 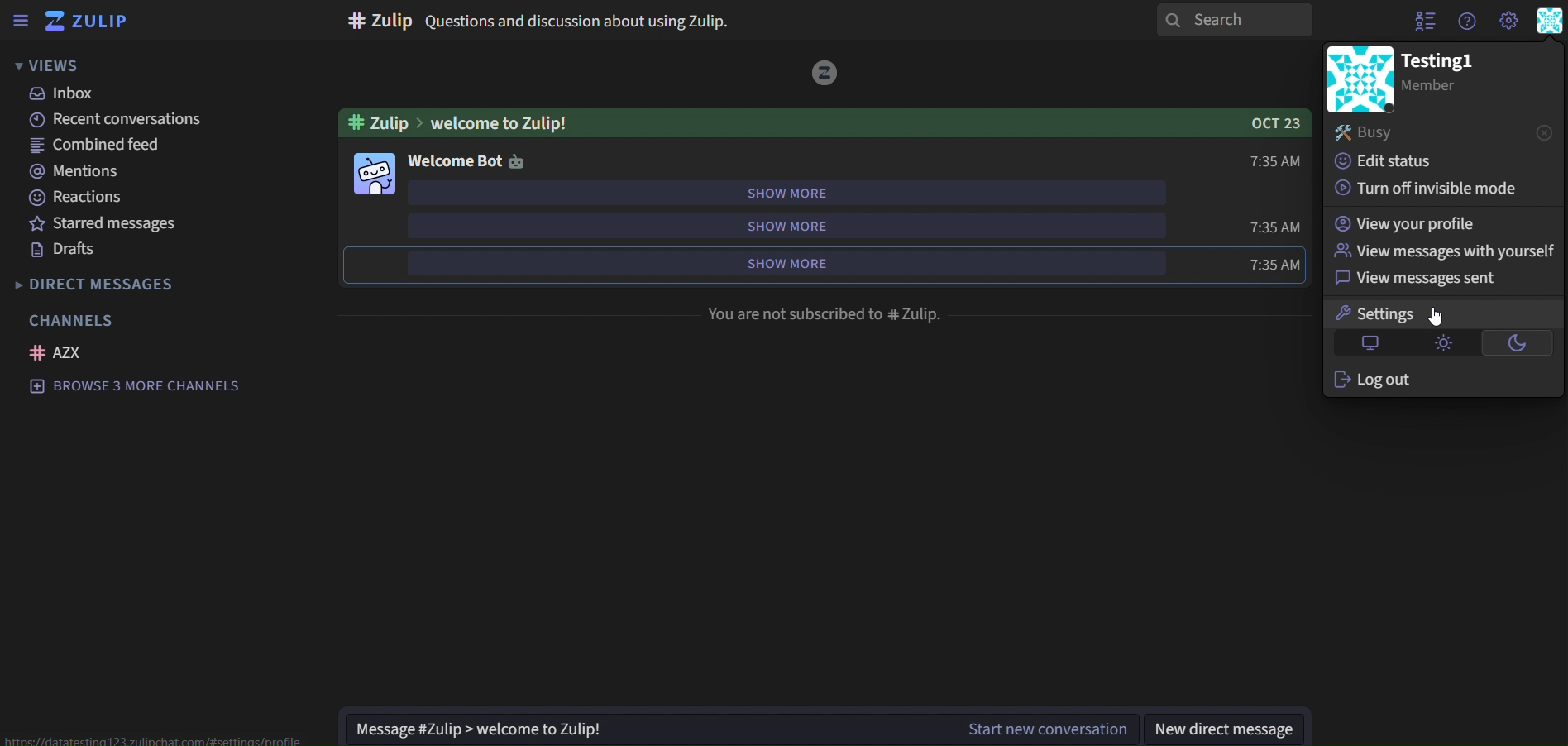 I want to click on directmessages, so click(x=127, y=284).